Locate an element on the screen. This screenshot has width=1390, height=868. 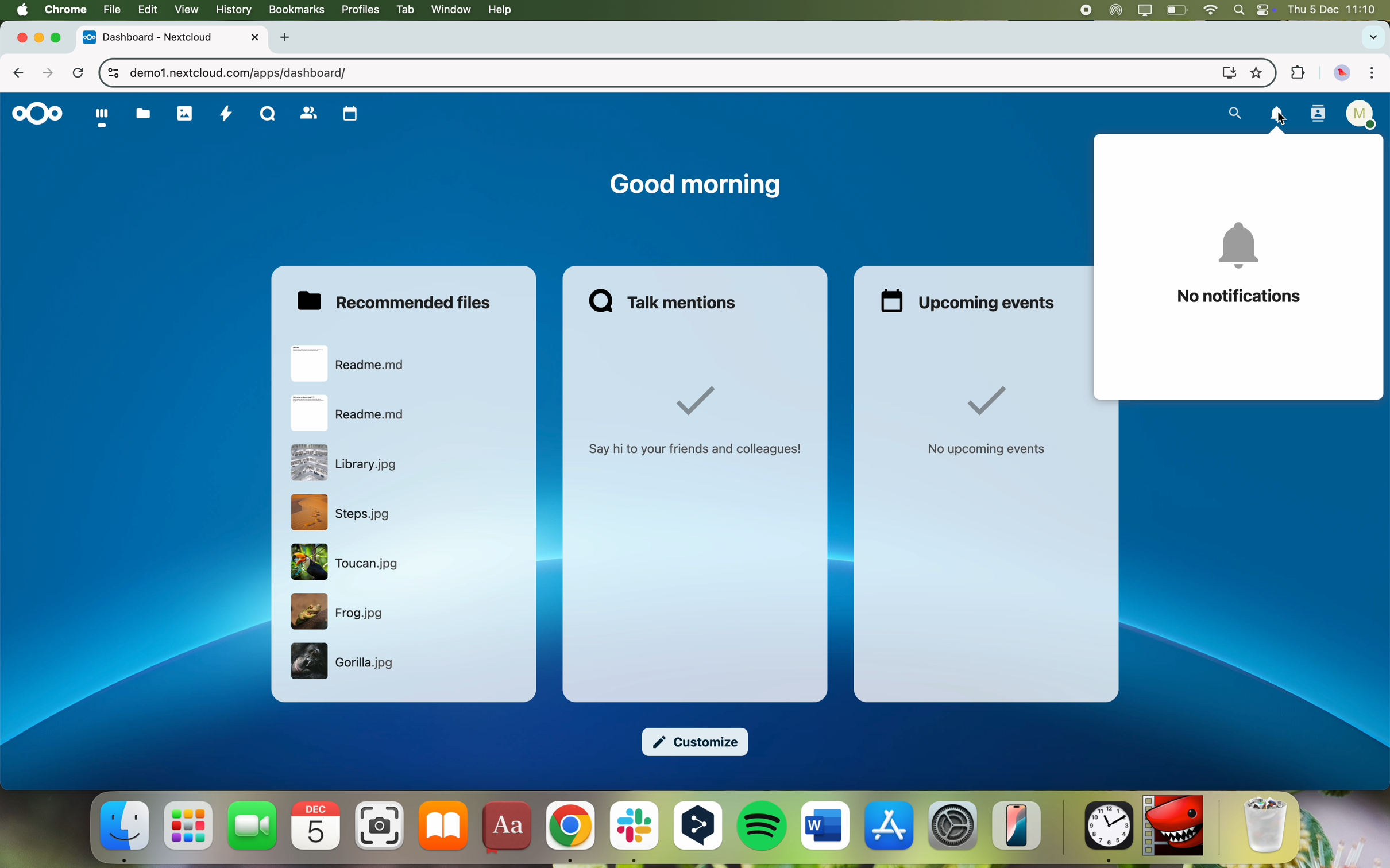
customize and control Google Chrome is located at coordinates (1372, 74).